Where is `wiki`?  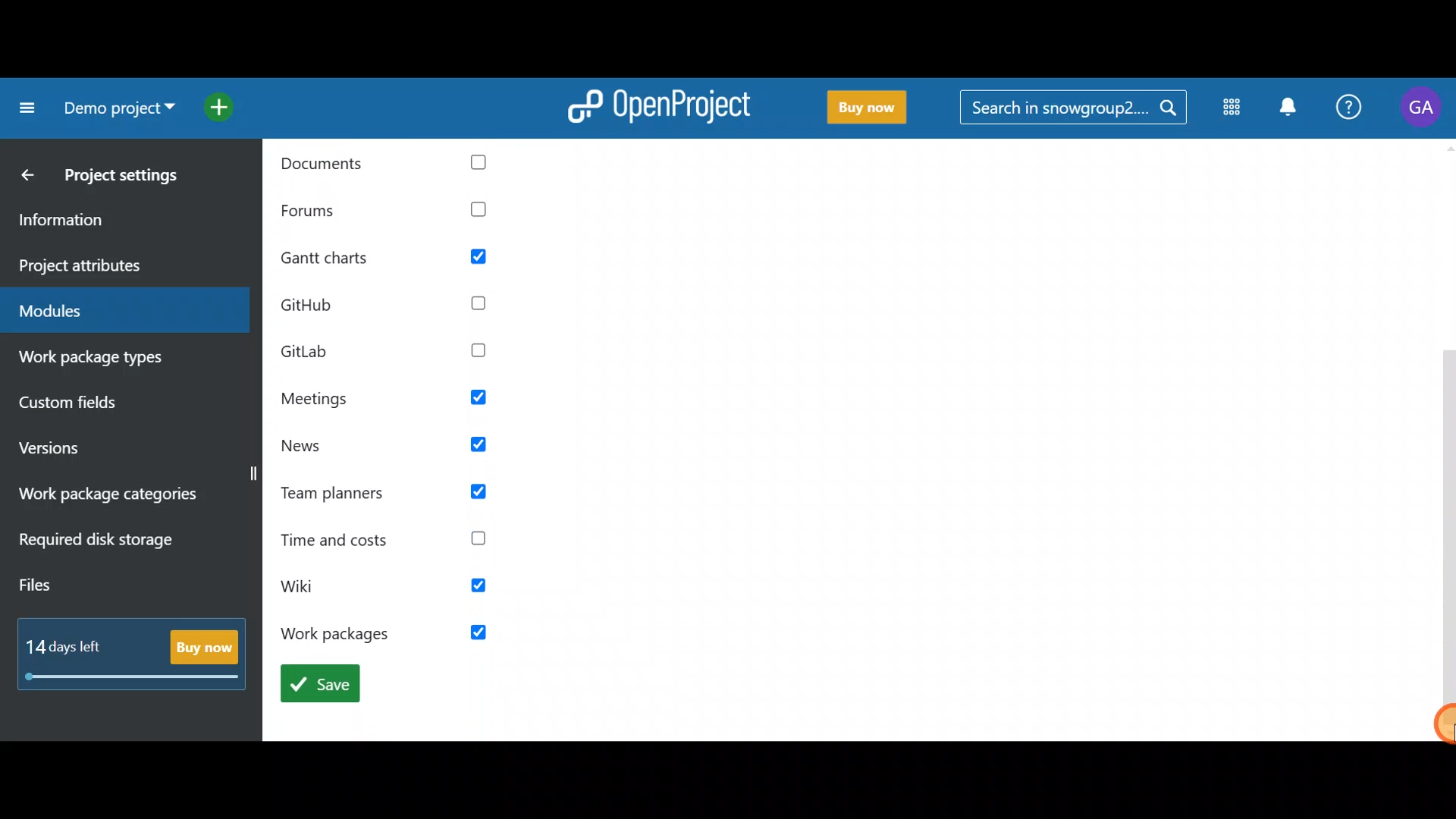
wiki is located at coordinates (394, 588).